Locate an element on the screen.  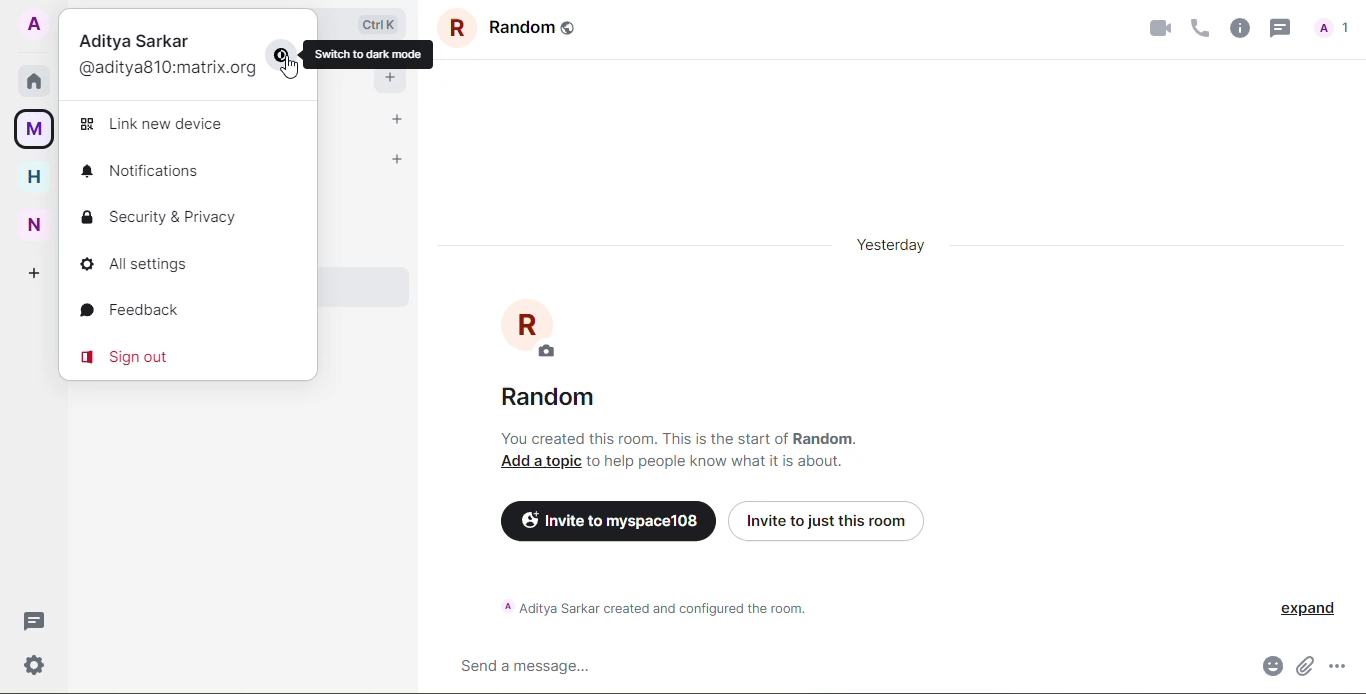
threads is located at coordinates (1278, 25).